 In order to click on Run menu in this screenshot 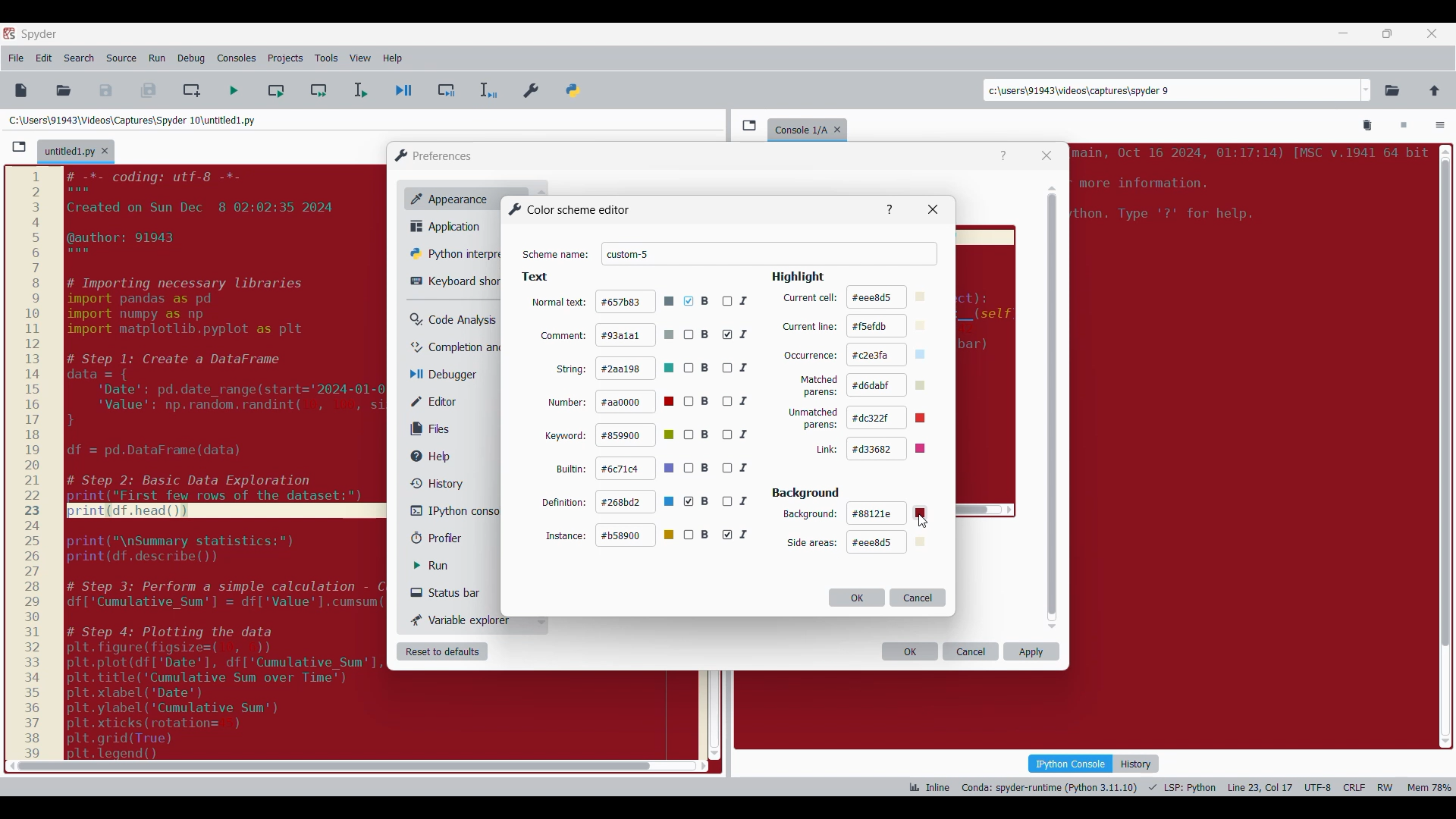, I will do `click(157, 58)`.